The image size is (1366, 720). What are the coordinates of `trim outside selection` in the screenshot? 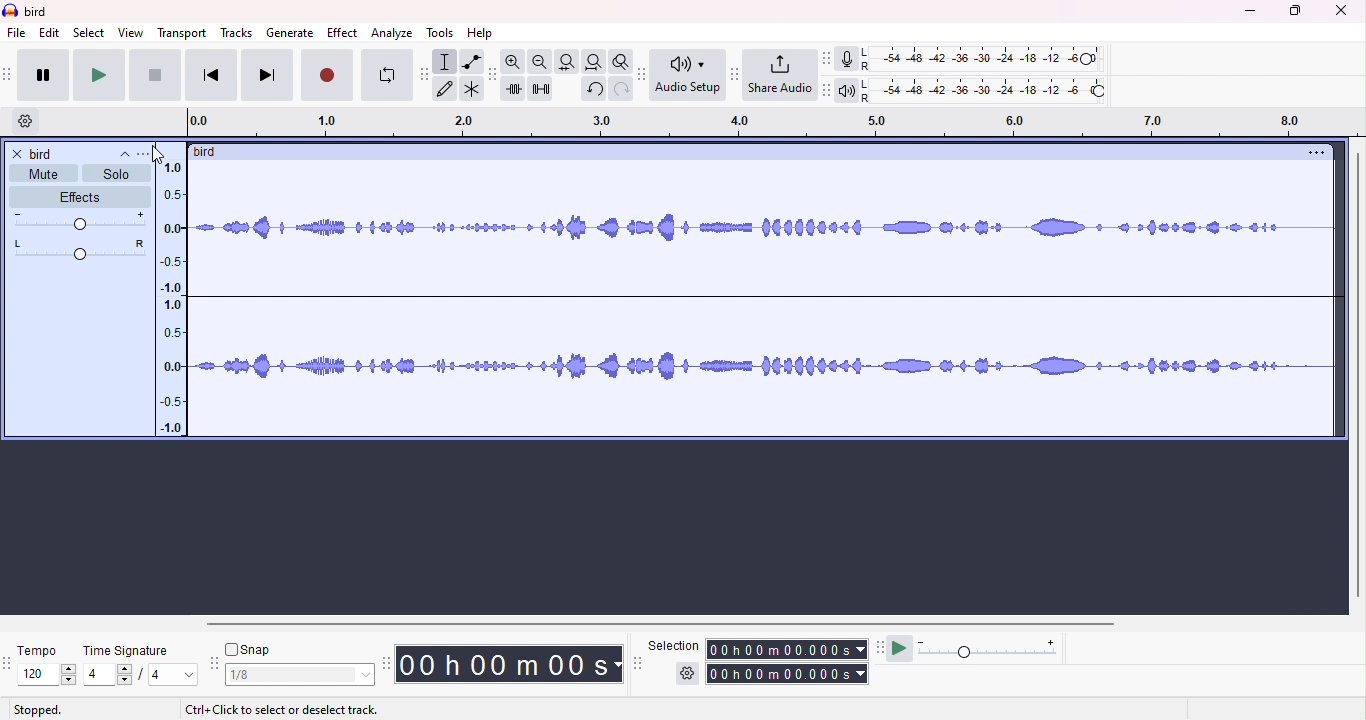 It's located at (516, 88).